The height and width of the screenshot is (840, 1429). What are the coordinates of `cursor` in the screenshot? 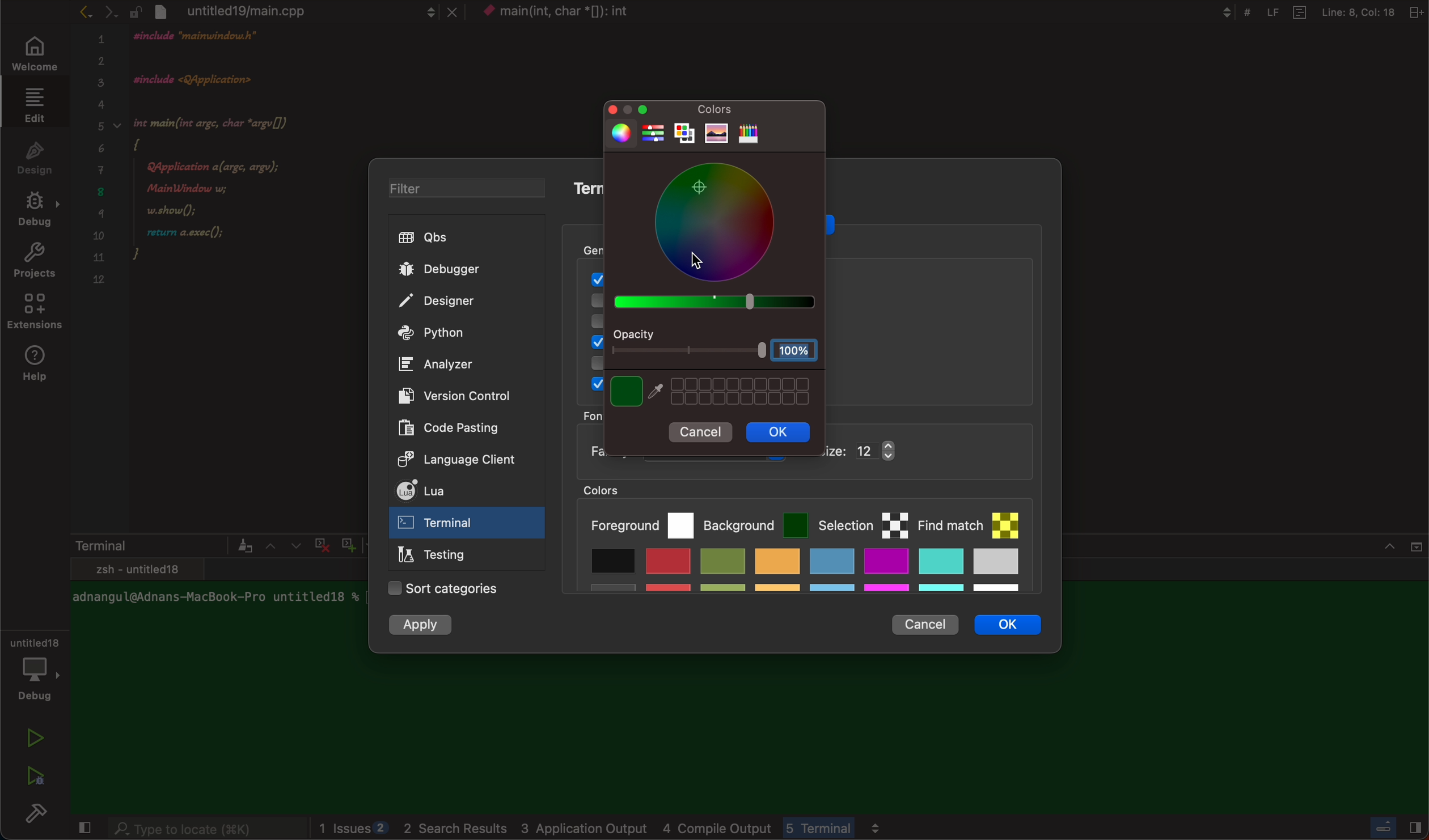 It's located at (704, 254).